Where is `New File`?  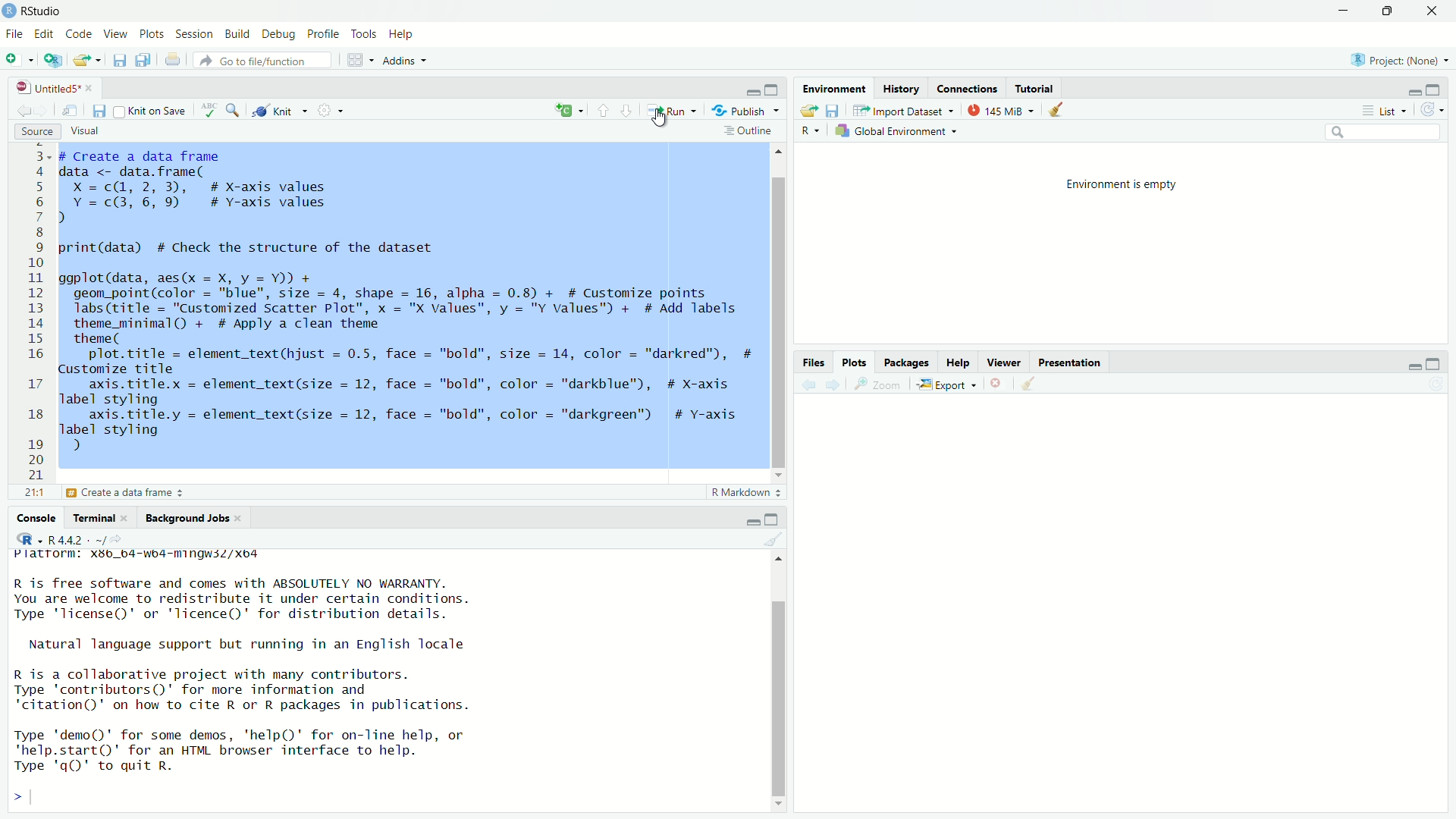 New File is located at coordinates (17, 58).